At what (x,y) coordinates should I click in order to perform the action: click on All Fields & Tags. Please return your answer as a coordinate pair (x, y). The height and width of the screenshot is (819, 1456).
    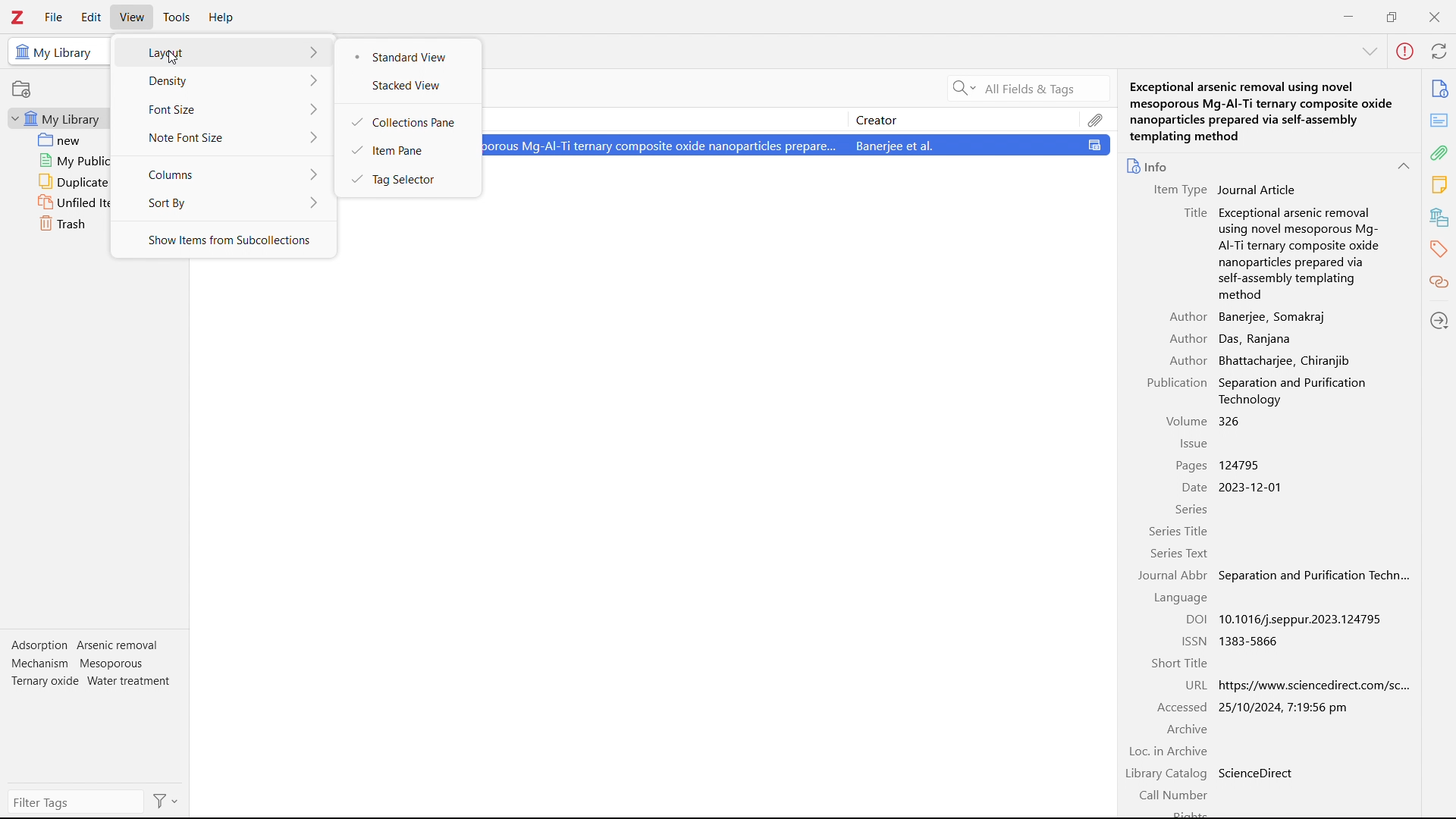
    Looking at the image, I should click on (1009, 88).